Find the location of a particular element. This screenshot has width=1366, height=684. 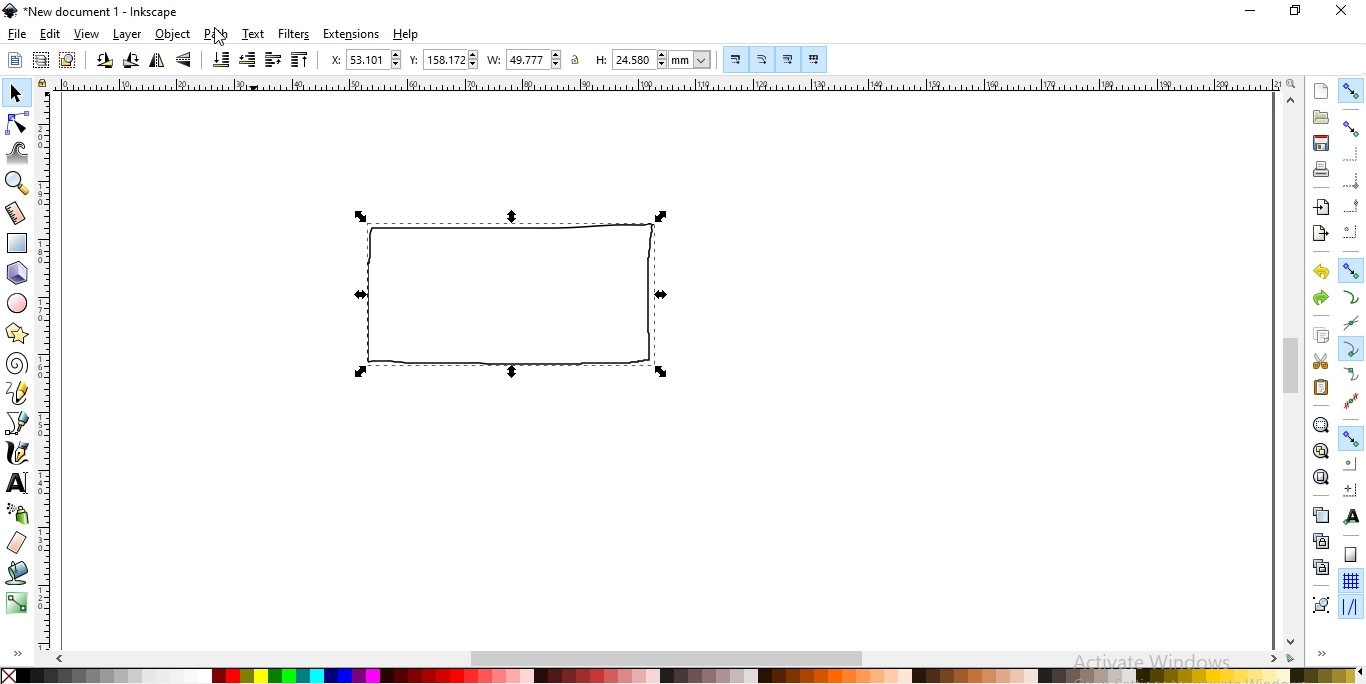

snap centers of objects is located at coordinates (1351, 464).